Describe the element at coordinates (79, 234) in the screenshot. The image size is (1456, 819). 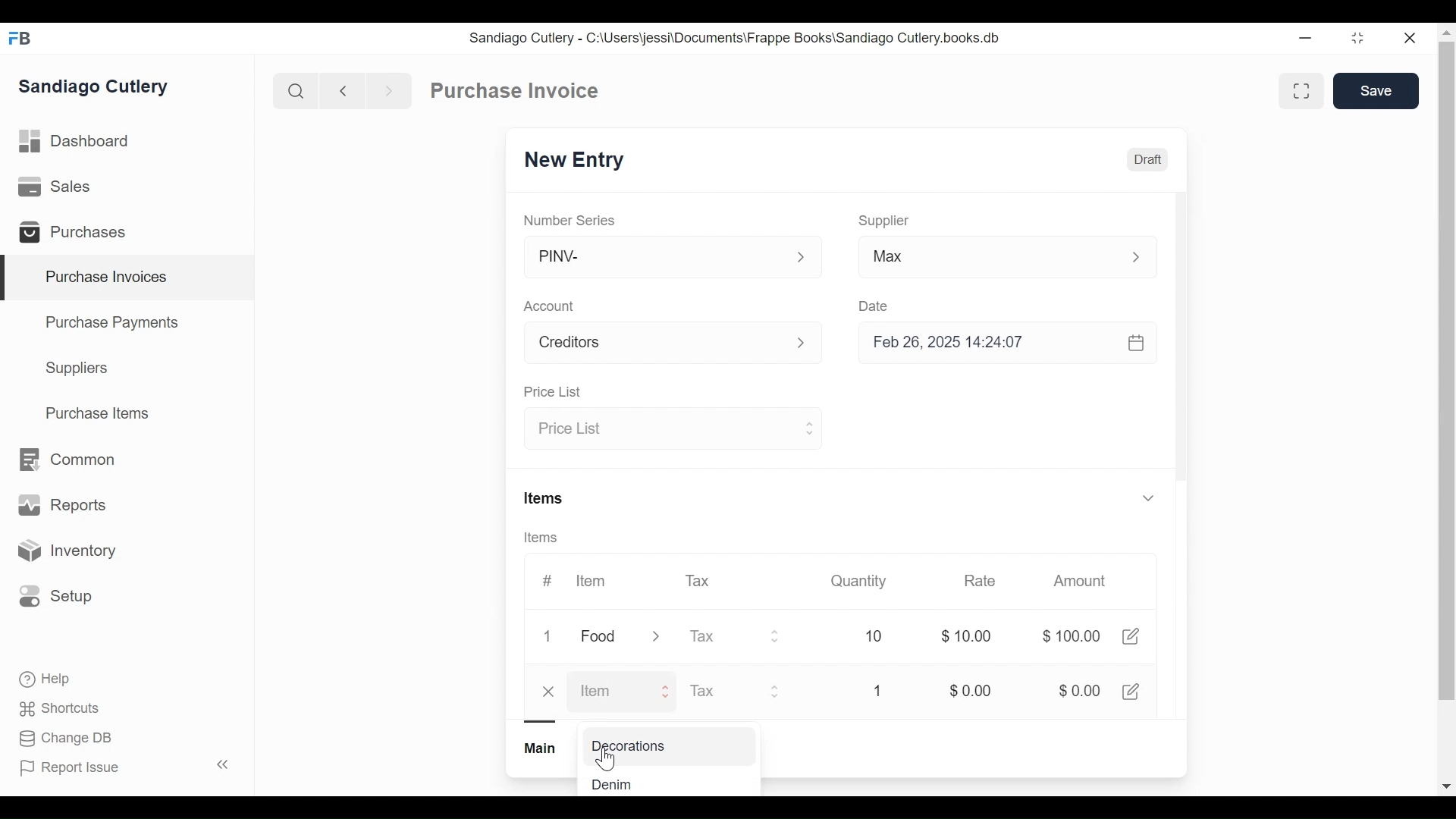
I see `Purchases` at that location.